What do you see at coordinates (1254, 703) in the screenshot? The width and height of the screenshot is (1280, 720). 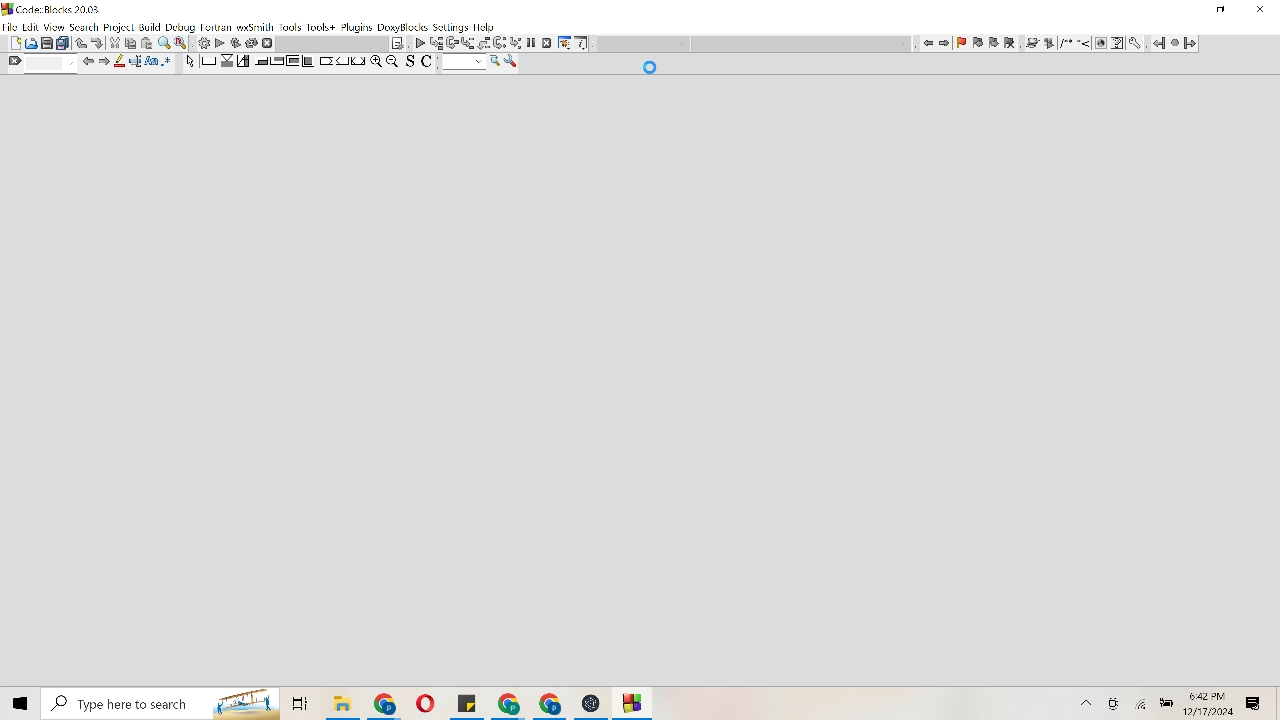 I see `Message` at bounding box center [1254, 703].